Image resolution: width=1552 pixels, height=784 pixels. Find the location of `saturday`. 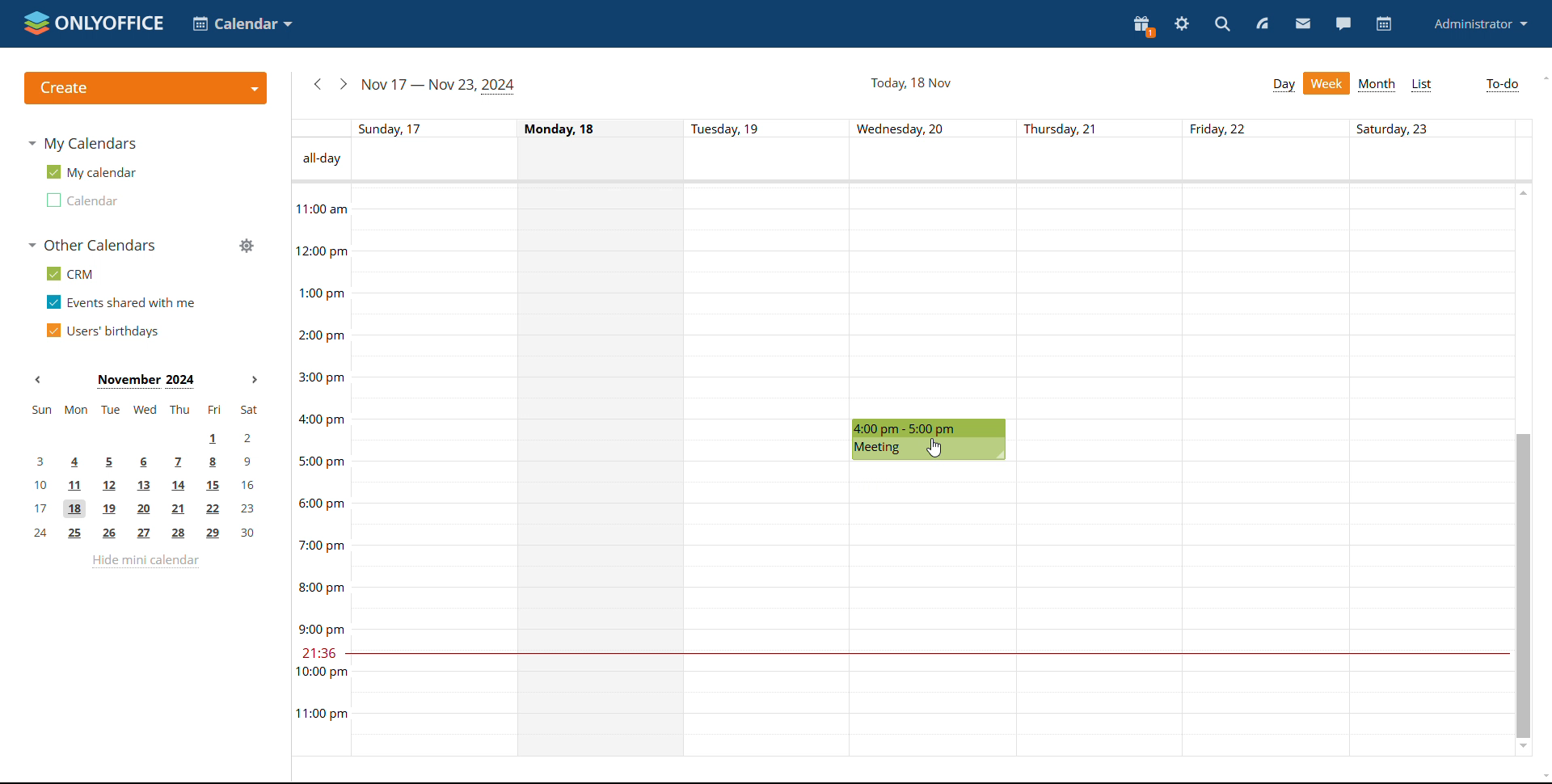

saturday is located at coordinates (1429, 470).